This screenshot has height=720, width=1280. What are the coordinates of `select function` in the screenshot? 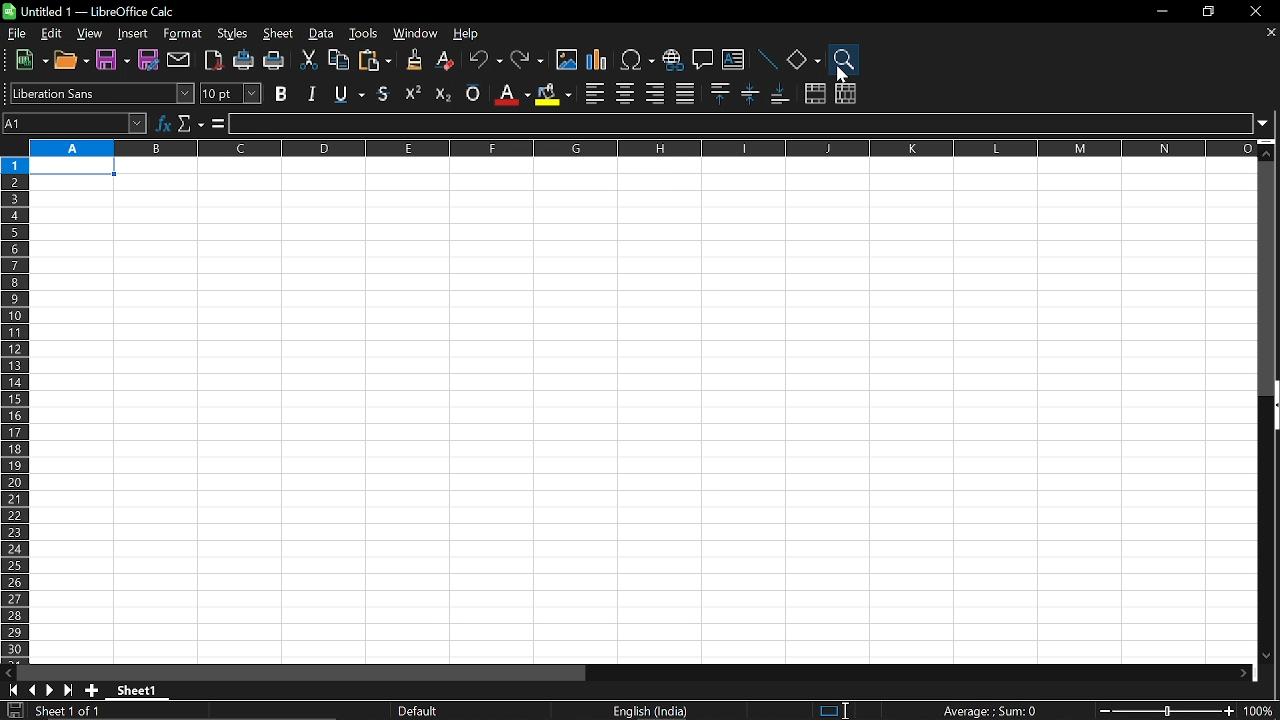 It's located at (190, 121).